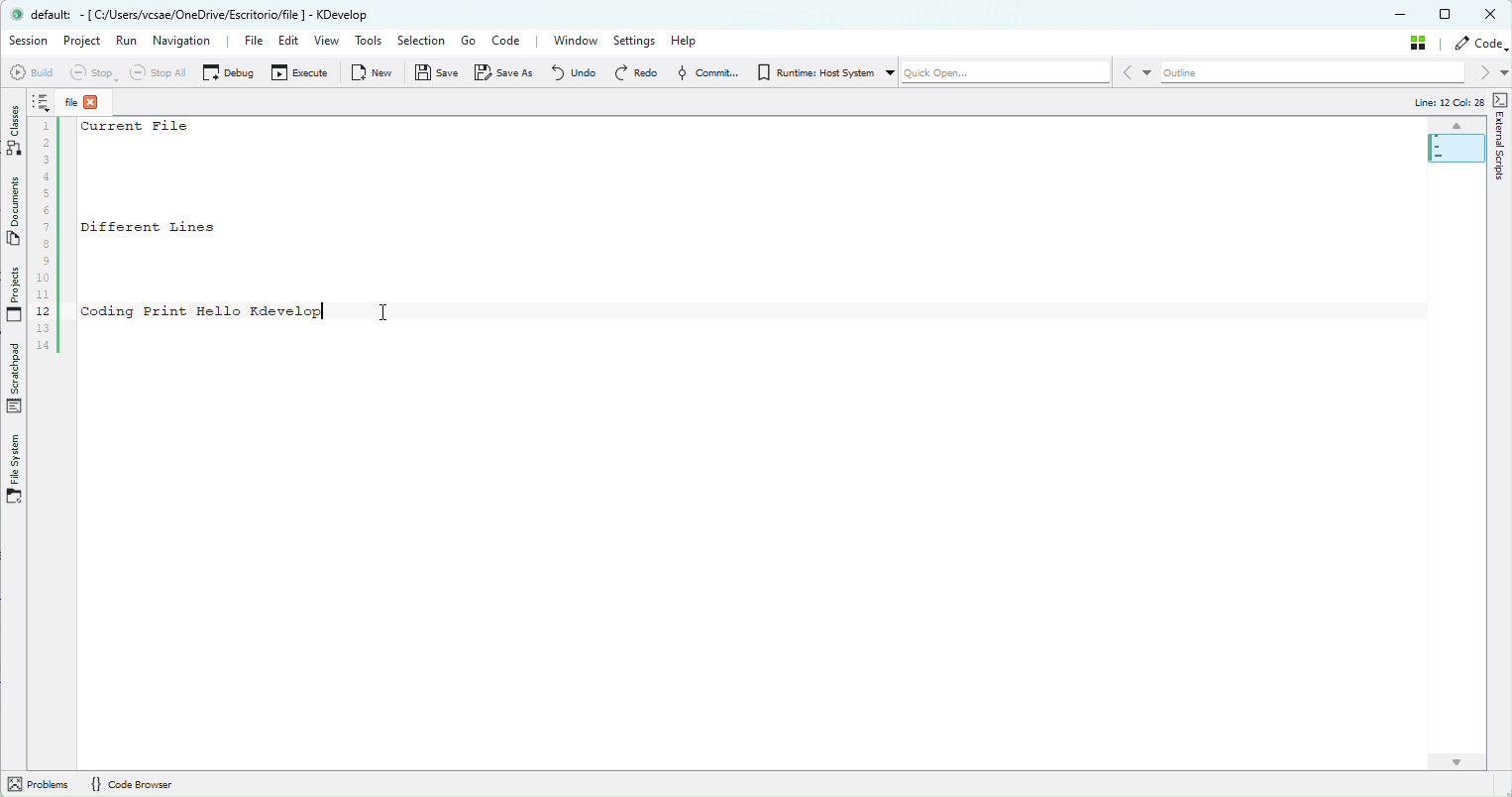 This screenshot has width=1512, height=797. What do you see at coordinates (186, 237) in the screenshot?
I see `1Current Files234567| Different Lines5s10112| coding Print Hello Kdevelop|1314` at bounding box center [186, 237].